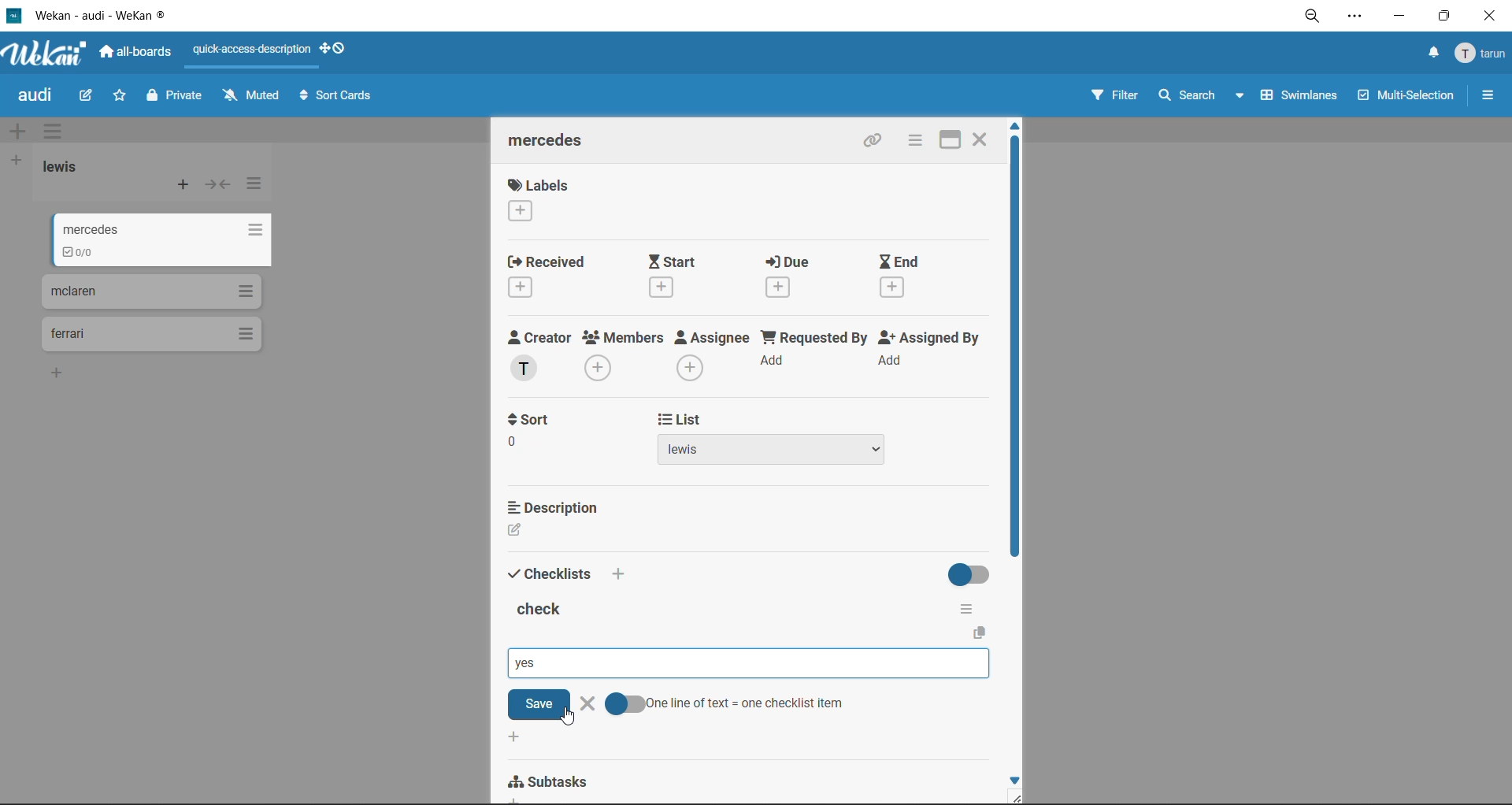 This screenshot has width=1512, height=805. Describe the element at coordinates (121, 99) in the screenshot. I see `star` at that location.